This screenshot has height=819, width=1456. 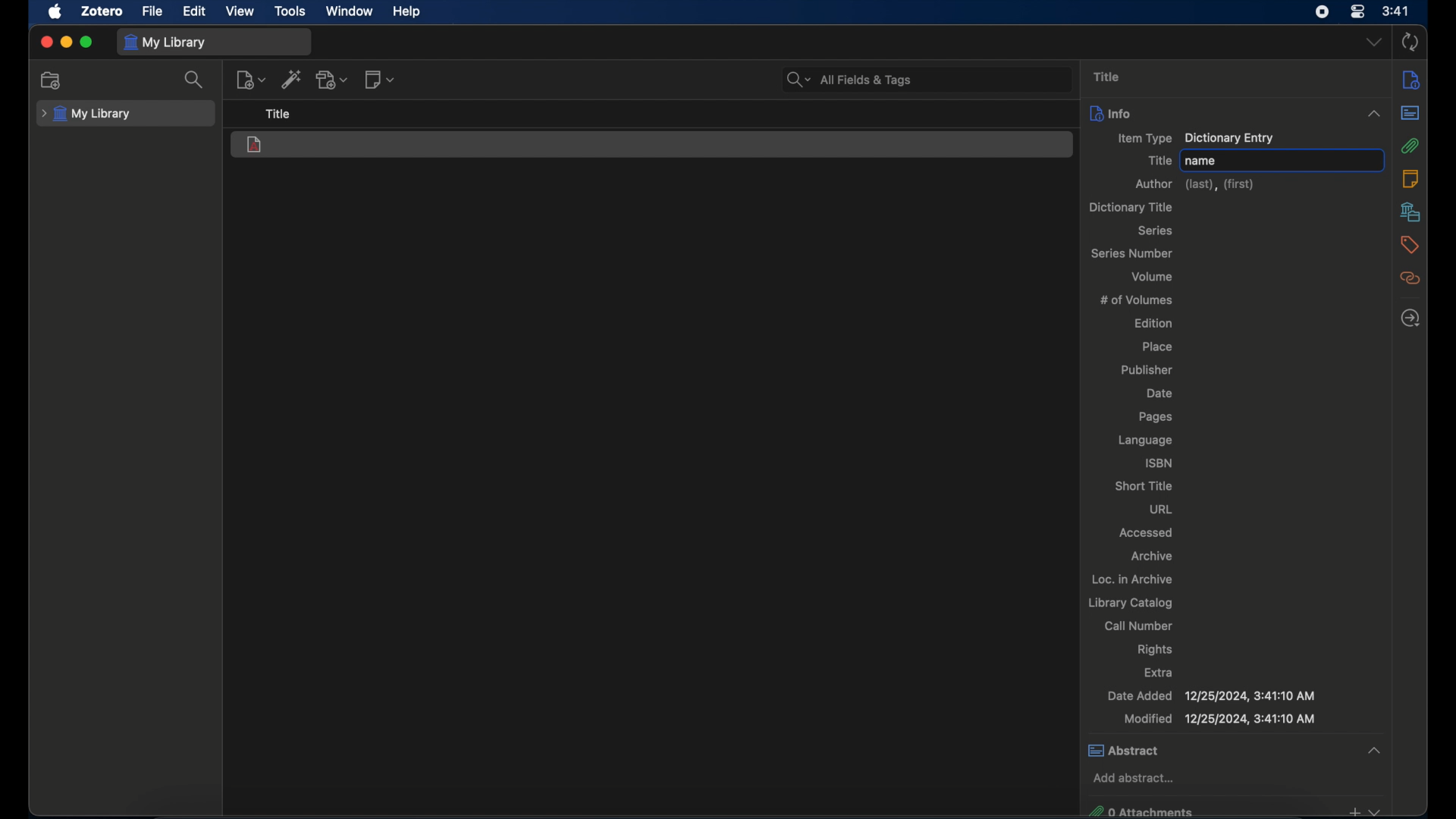 I want to click on 3.41, so click(x=1396, y=12).